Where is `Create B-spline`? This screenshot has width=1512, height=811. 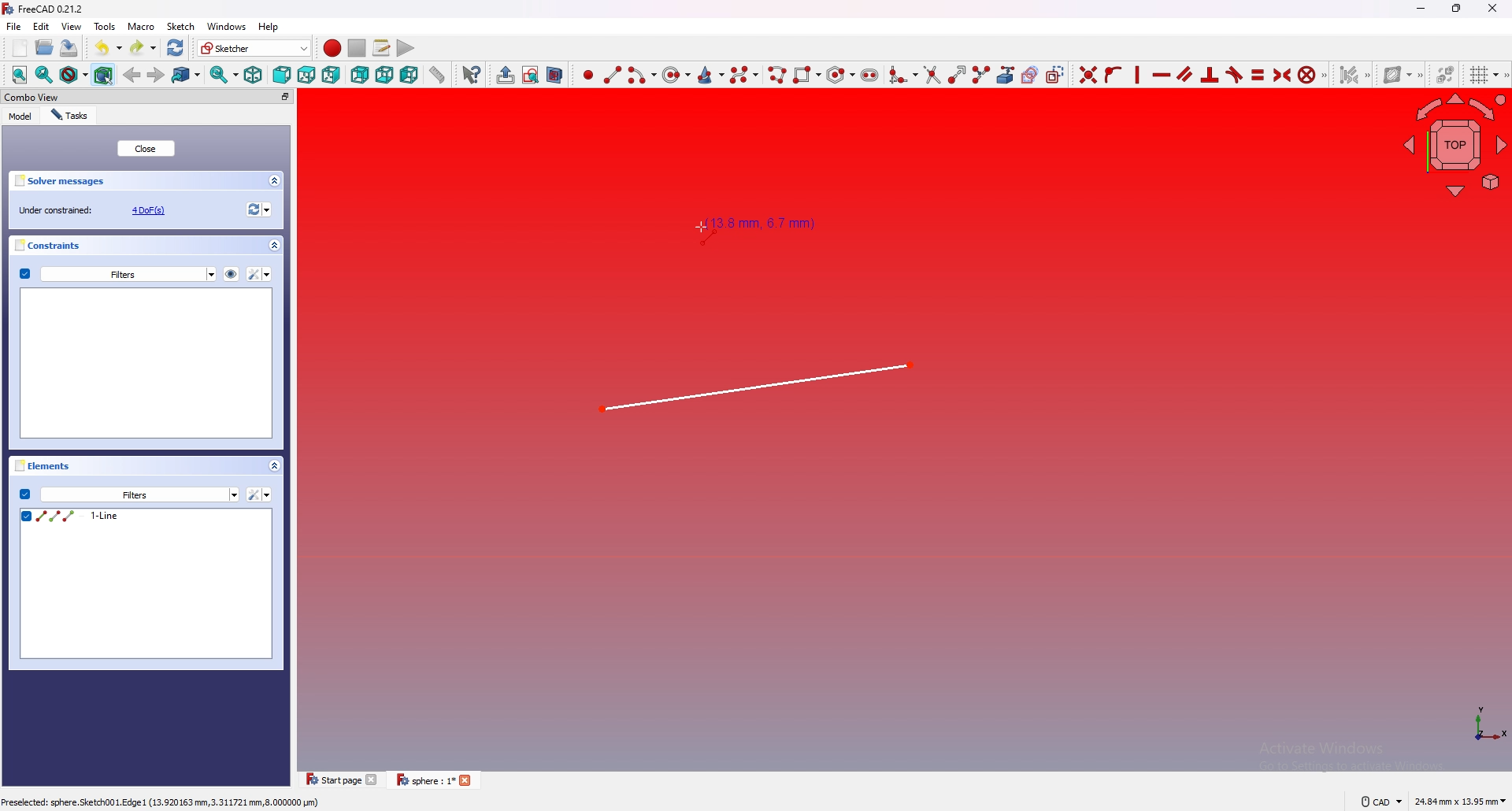
Create B-spline is located at coordinates (745, 74).